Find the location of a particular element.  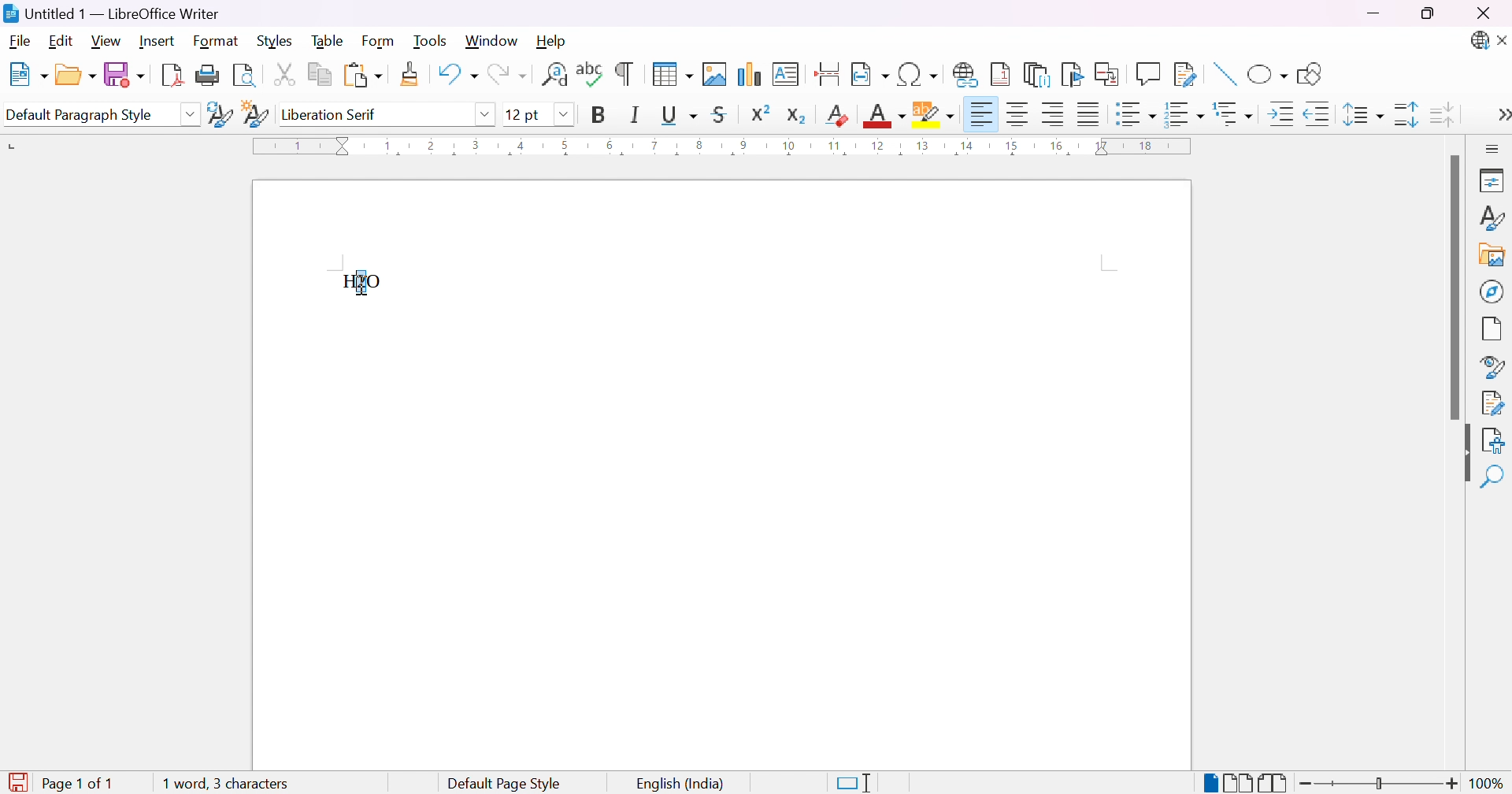

Form is located at coordinates (382, 42).